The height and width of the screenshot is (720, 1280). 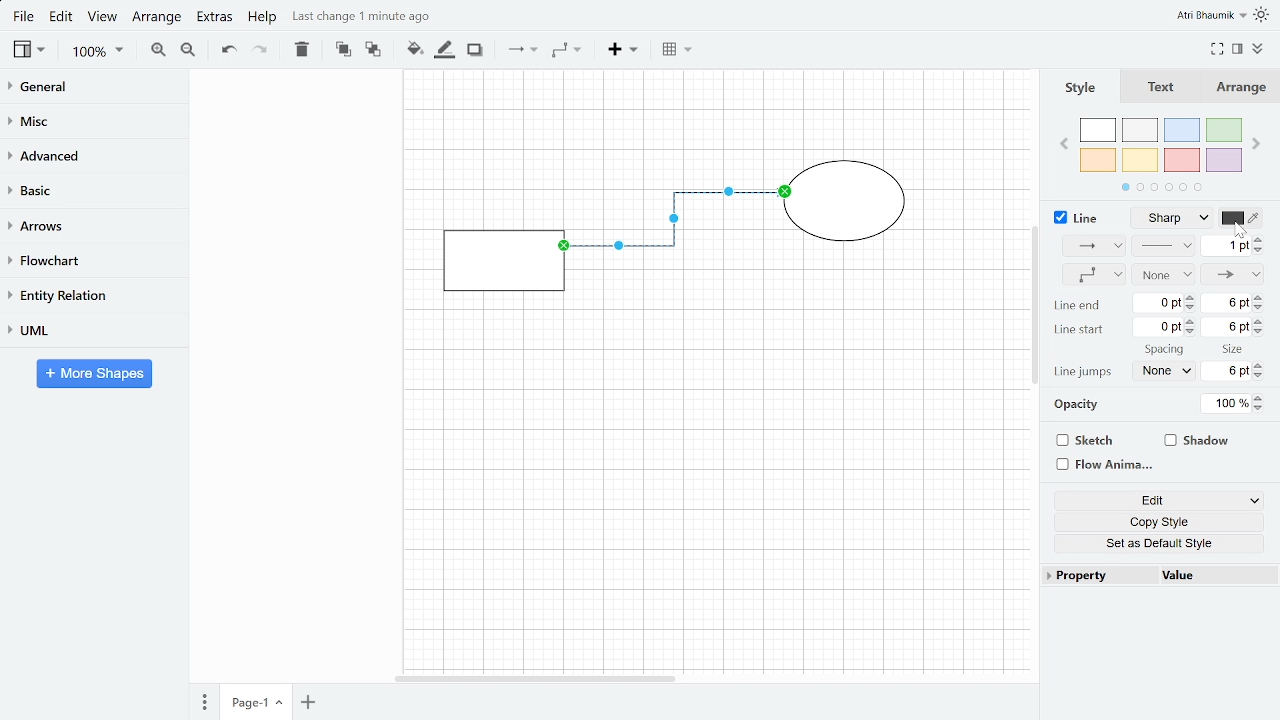 I want to click on Help, so click(x=263, y=18).